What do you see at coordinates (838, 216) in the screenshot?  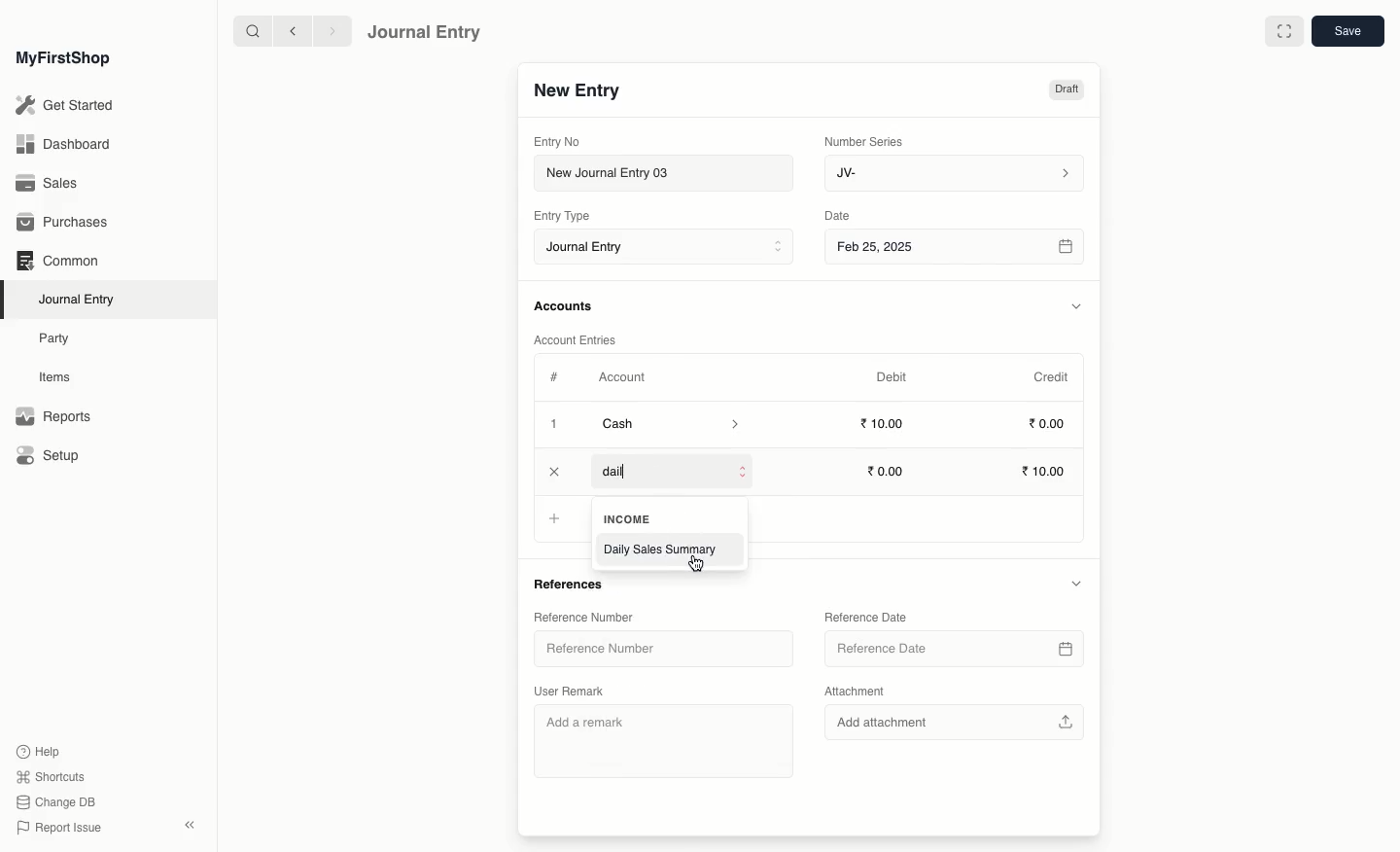 I see `Date` at bounding box center [838, 216].